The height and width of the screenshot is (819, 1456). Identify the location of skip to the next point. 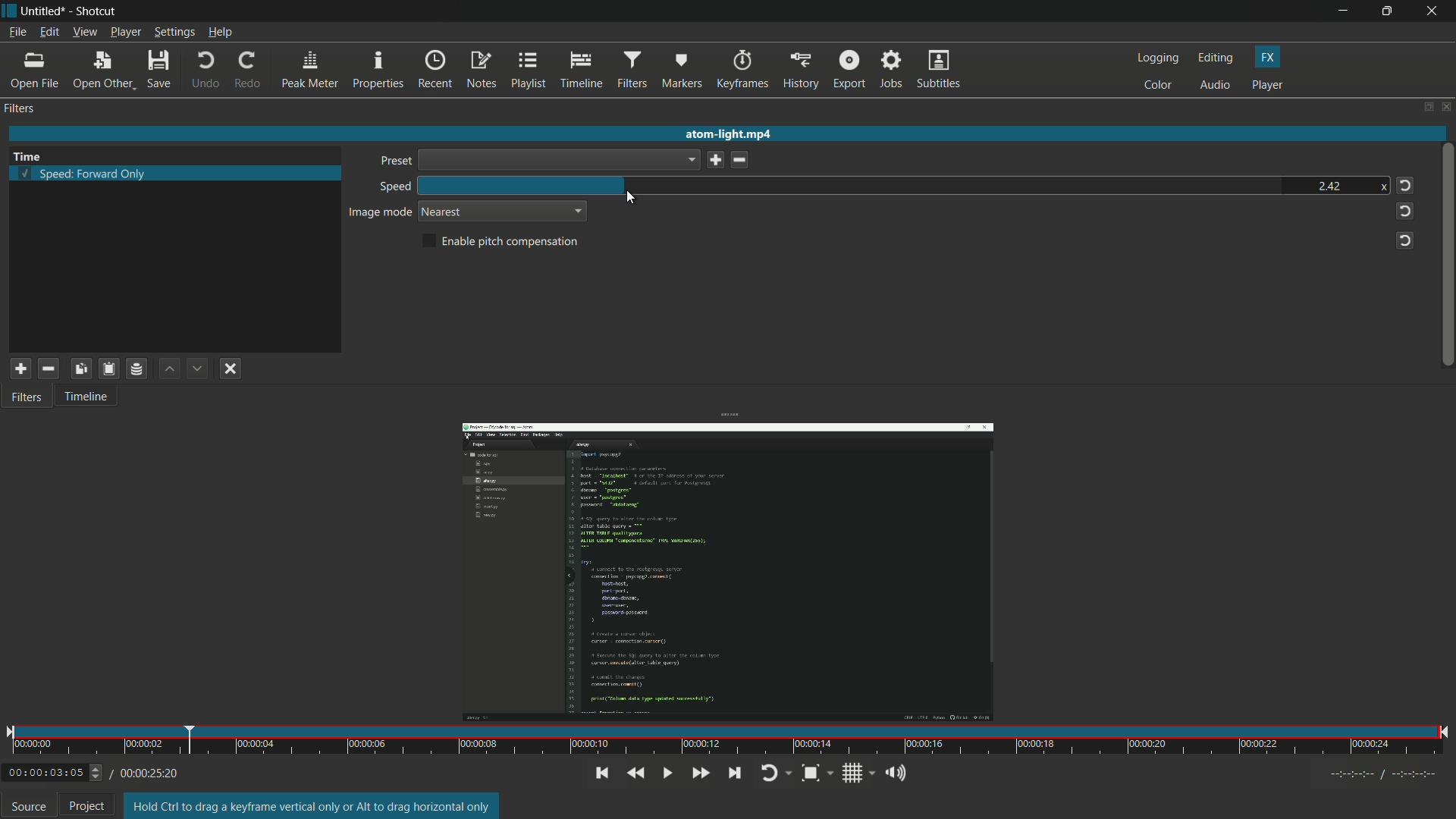
(735, 773).